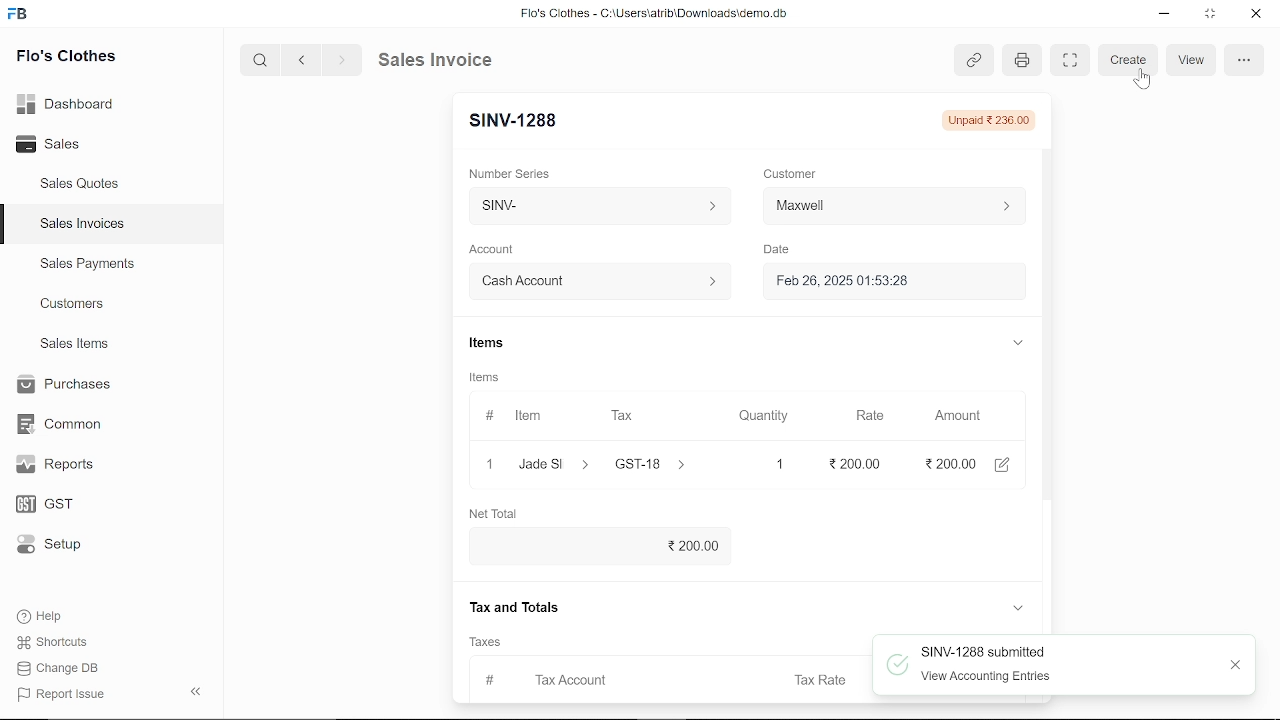 This screenshot has width=1280, height=720. I want to click on Flo's Clothes, so click(66, 58).